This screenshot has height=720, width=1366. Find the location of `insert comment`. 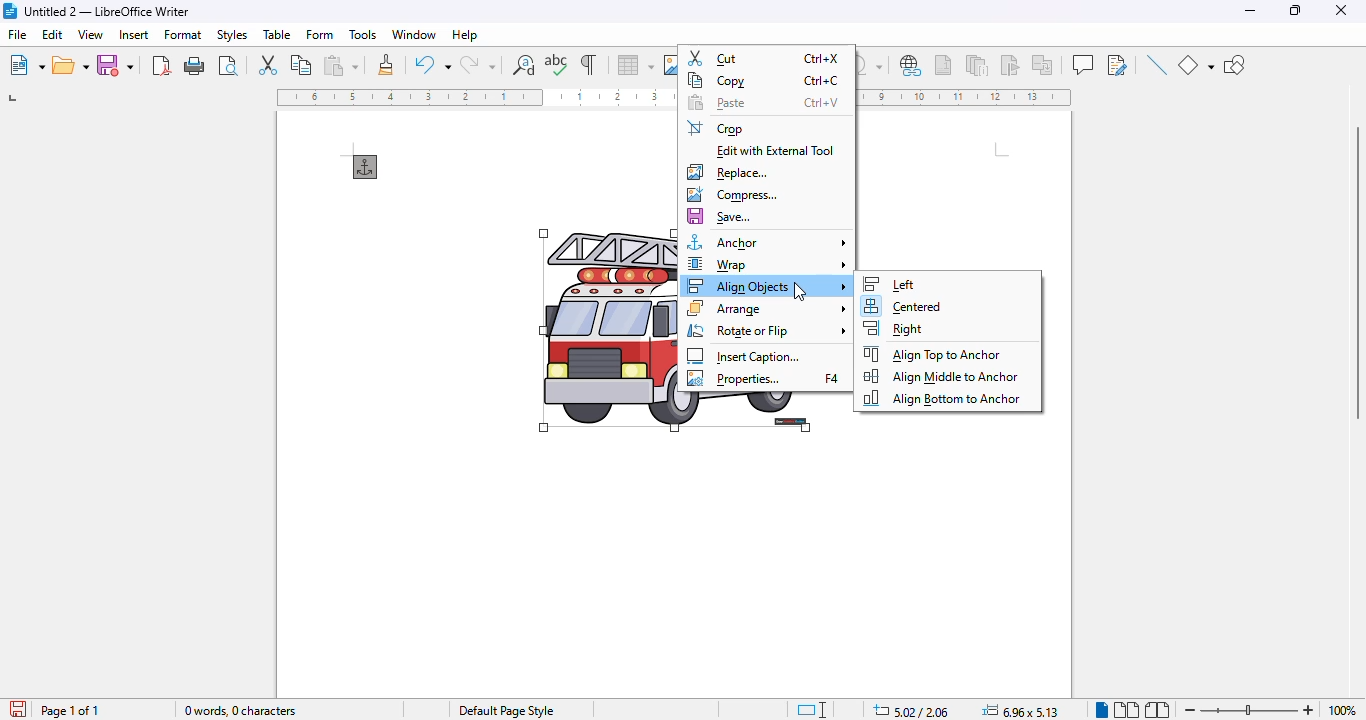

insert comment is located at coordinates (1083, 64).